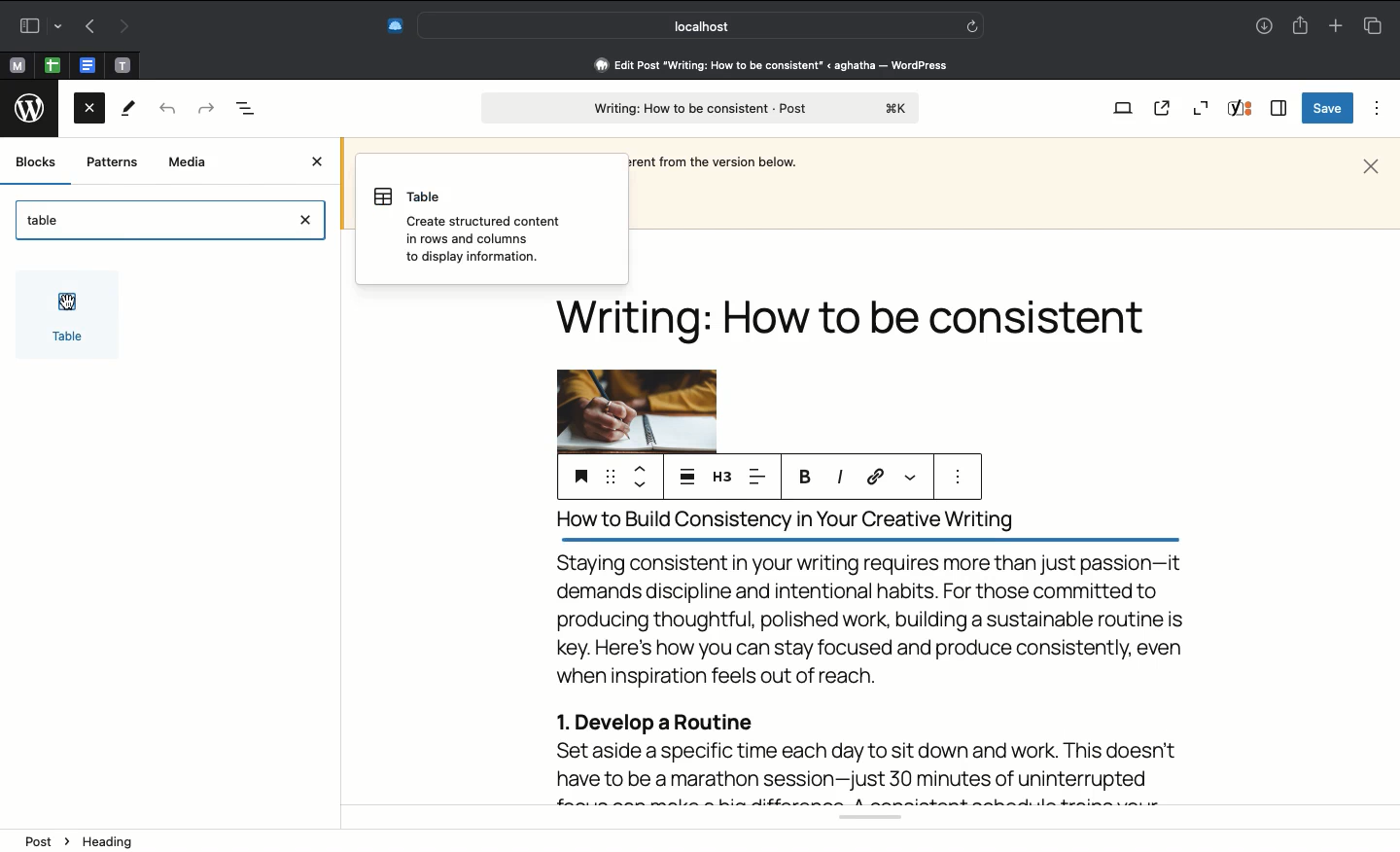  What do you see at coordinates (130, 108) in the screenshot?
I see `Tools` at bounding box center [130, 108].